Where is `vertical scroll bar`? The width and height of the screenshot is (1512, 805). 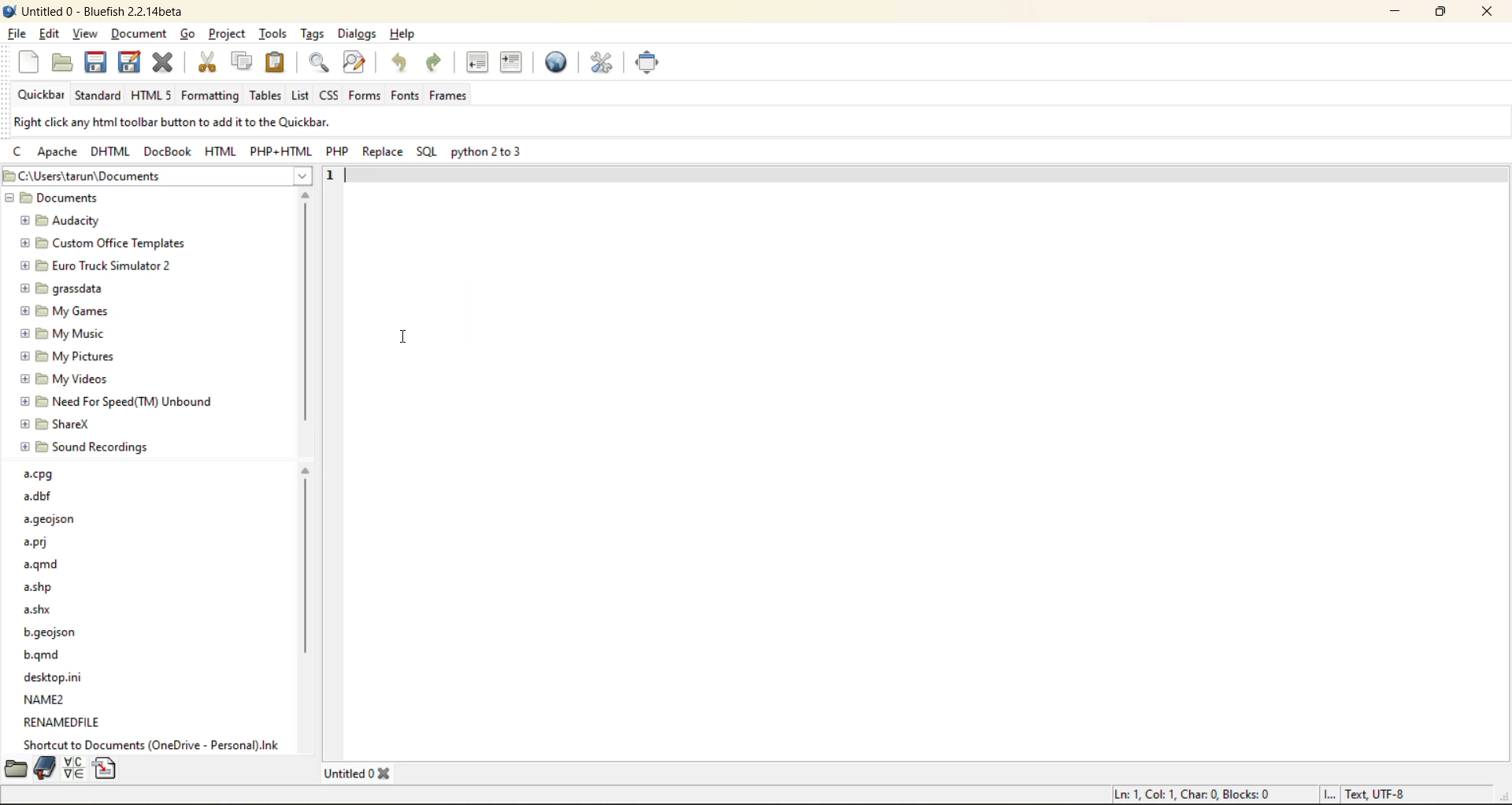 vertical scroll bar is located at coordinates (306, 316).